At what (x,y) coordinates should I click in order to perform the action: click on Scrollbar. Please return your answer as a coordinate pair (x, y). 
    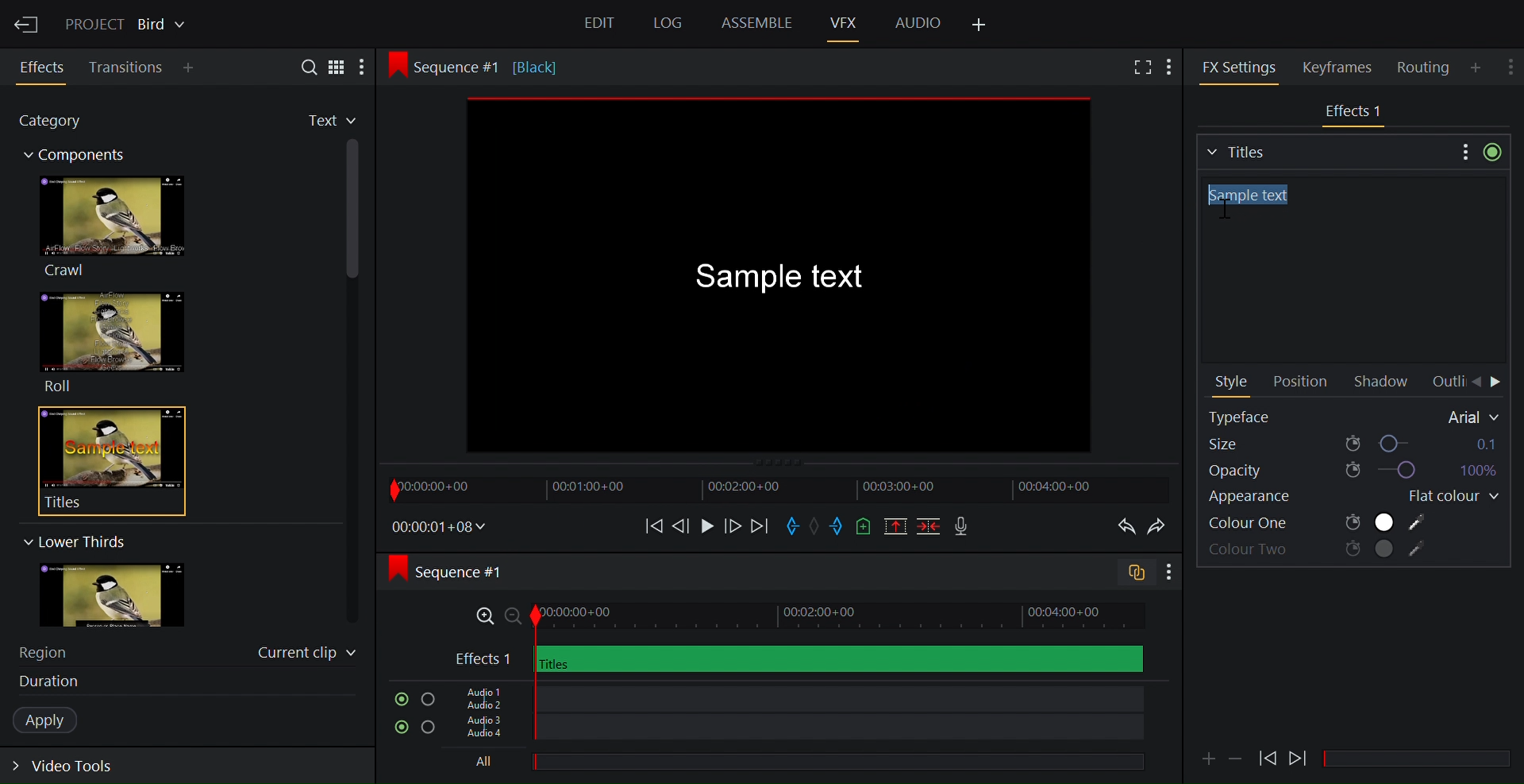
    Looking at the image, I should click on (1423, 759).